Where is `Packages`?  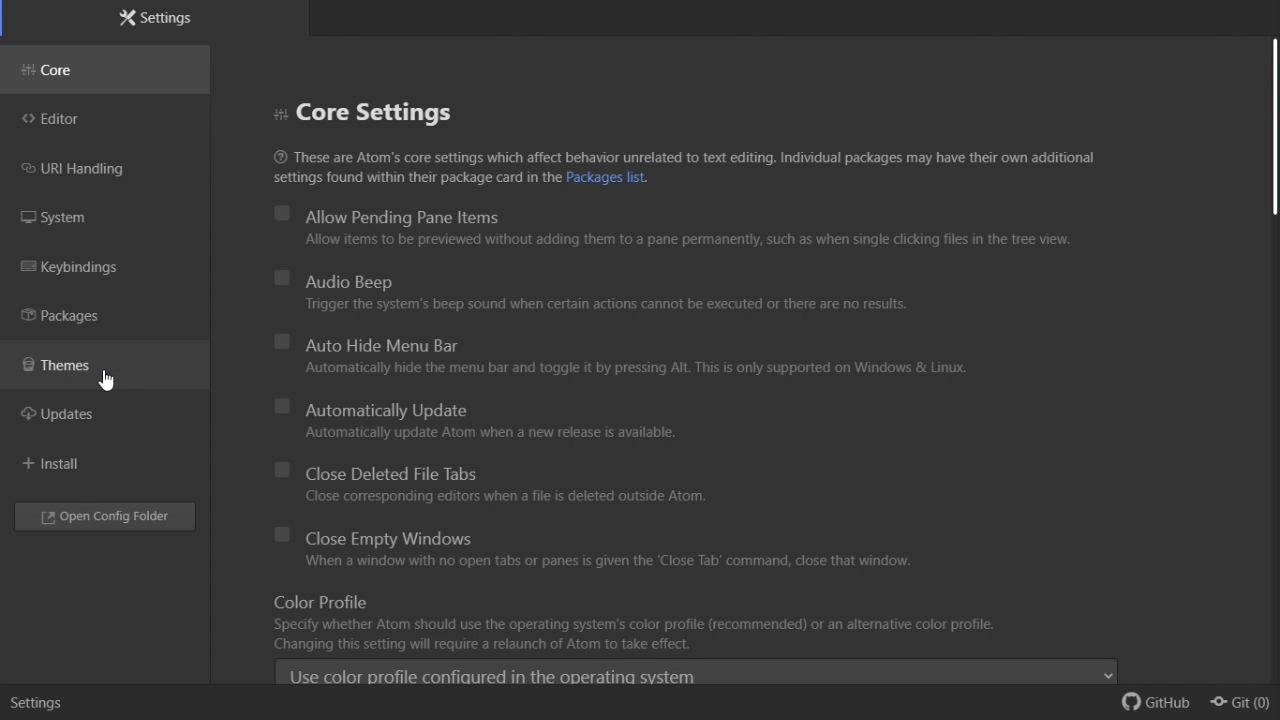
Packages is located at coordinates (83, 318).